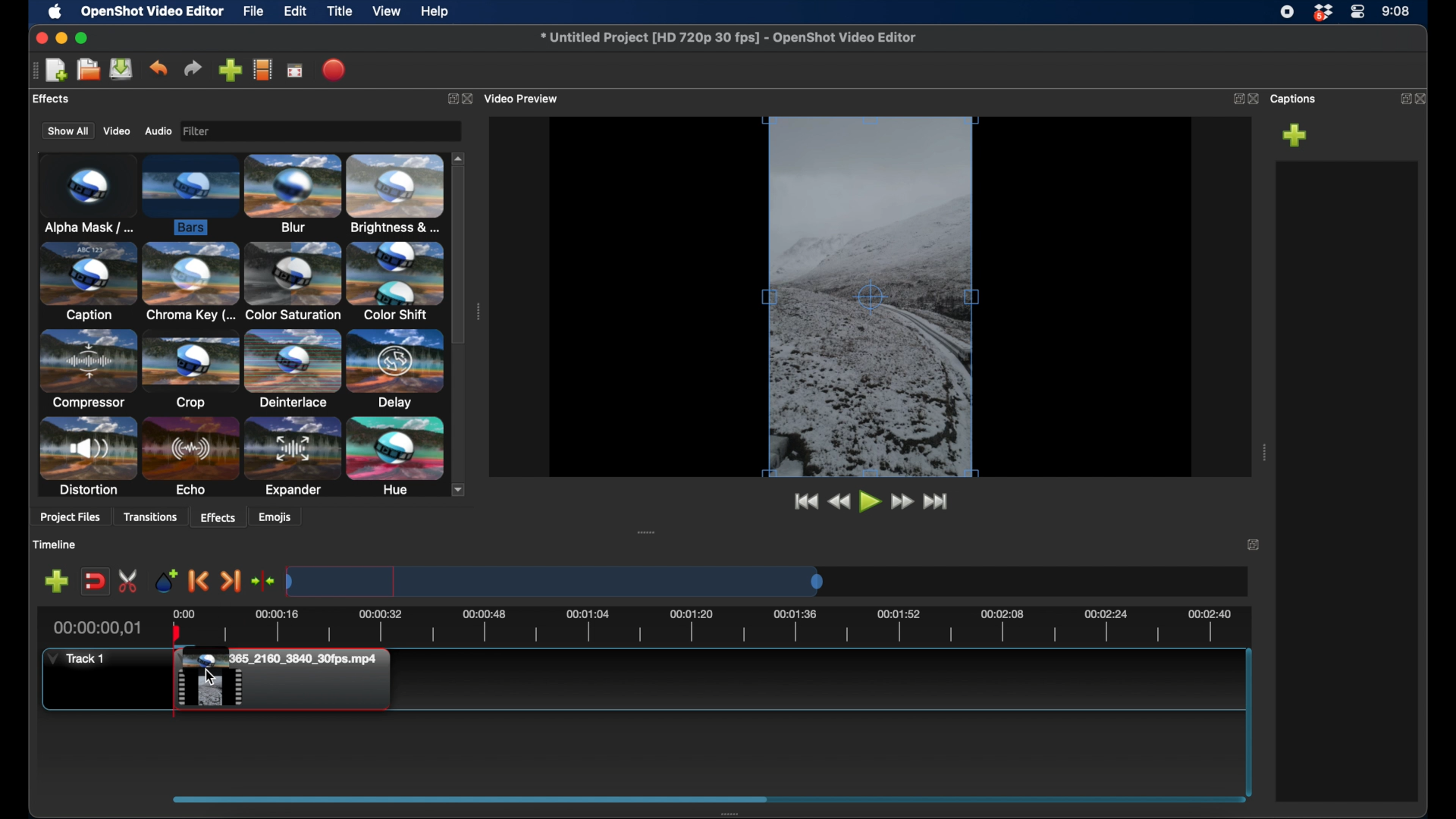 The image size is (1456, 819). Describe the element at coordinates (294, 194) in the screenshot. I see `blur` at that location.